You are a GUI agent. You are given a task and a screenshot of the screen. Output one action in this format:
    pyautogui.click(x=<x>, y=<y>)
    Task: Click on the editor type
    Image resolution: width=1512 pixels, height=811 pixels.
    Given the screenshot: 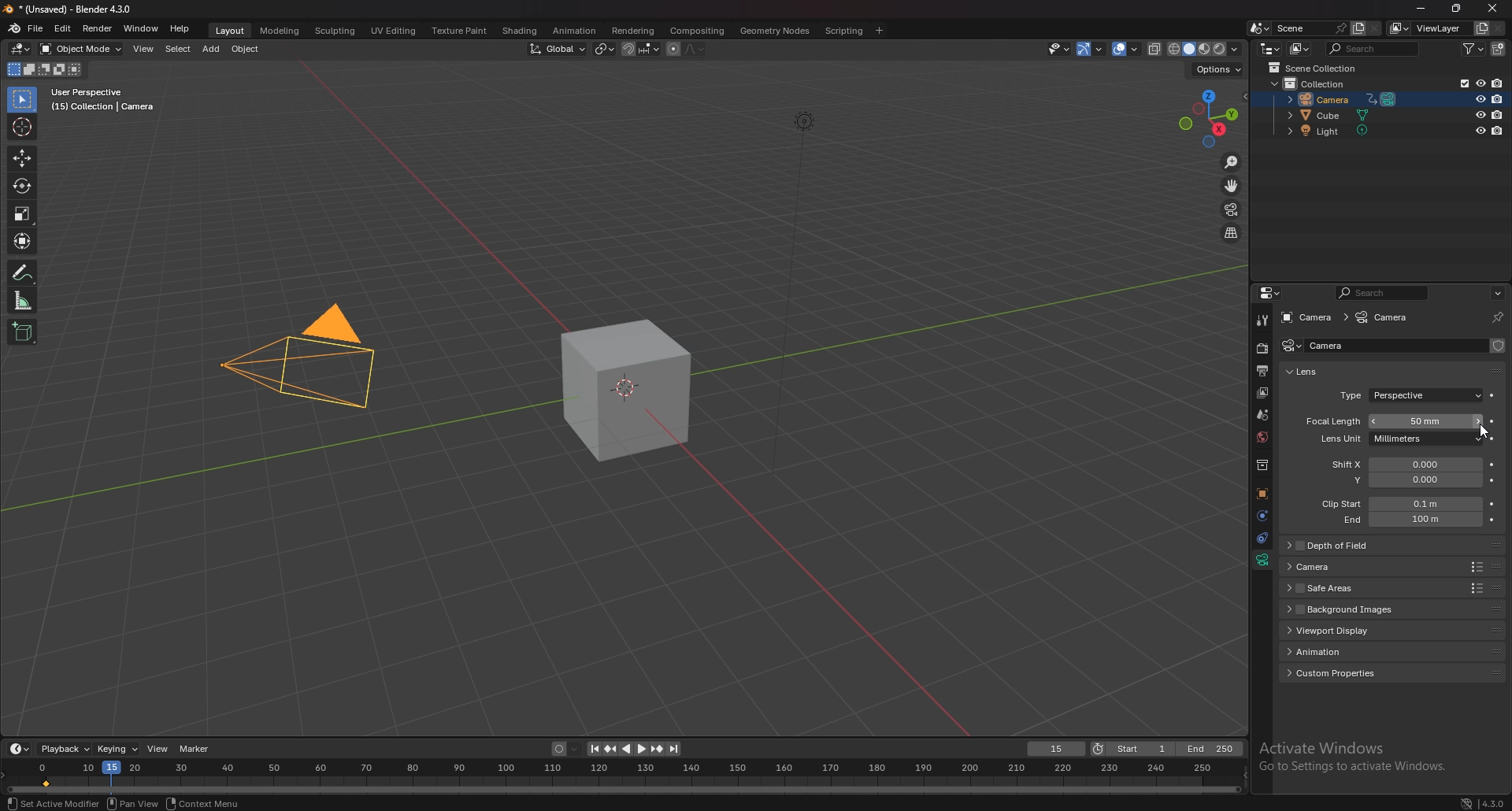 What is the action you would take?
    pyautogui.click(x=20, y=748)
    